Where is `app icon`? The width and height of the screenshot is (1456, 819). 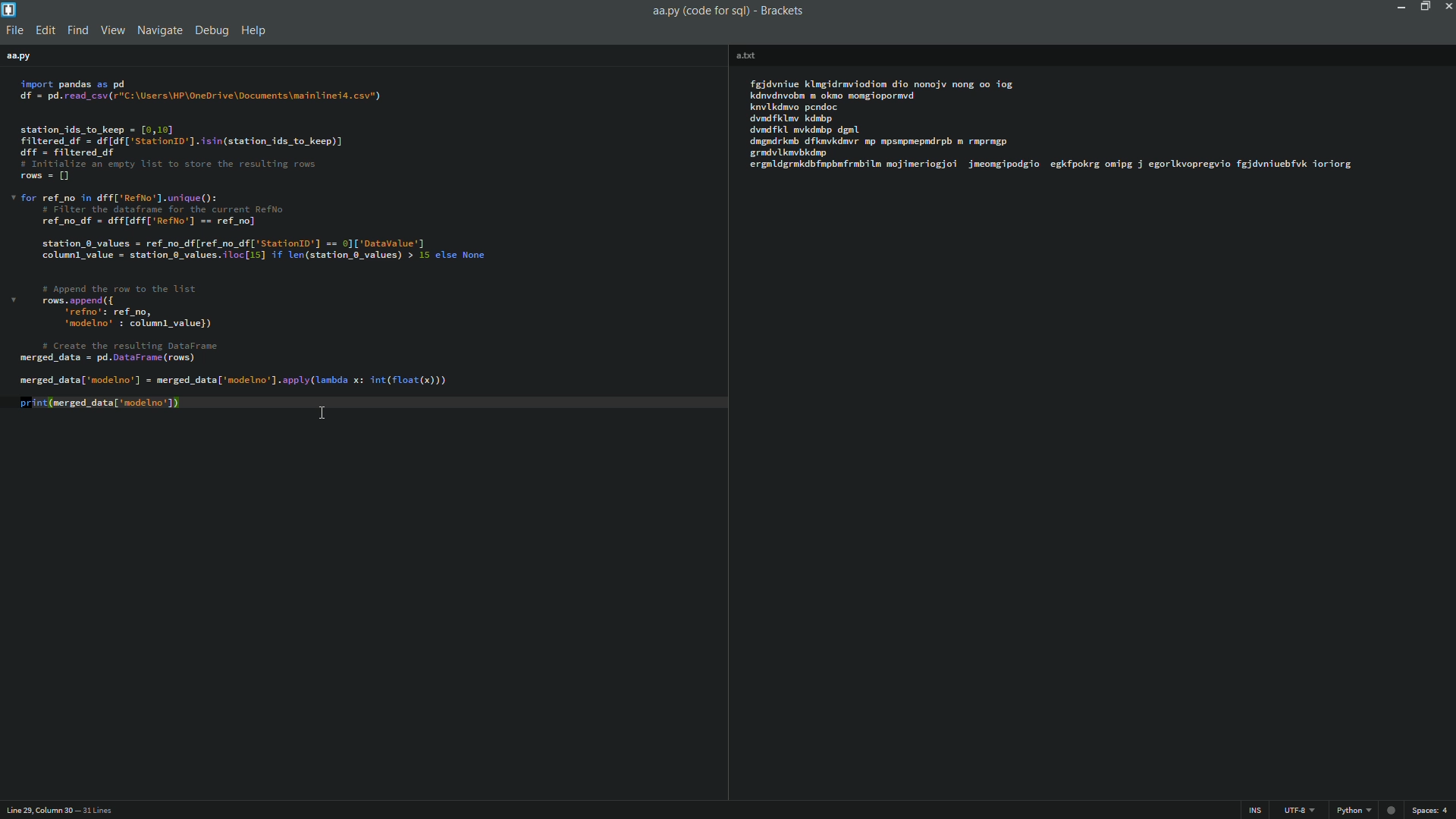
app icon is located at coordinates (10, 10).